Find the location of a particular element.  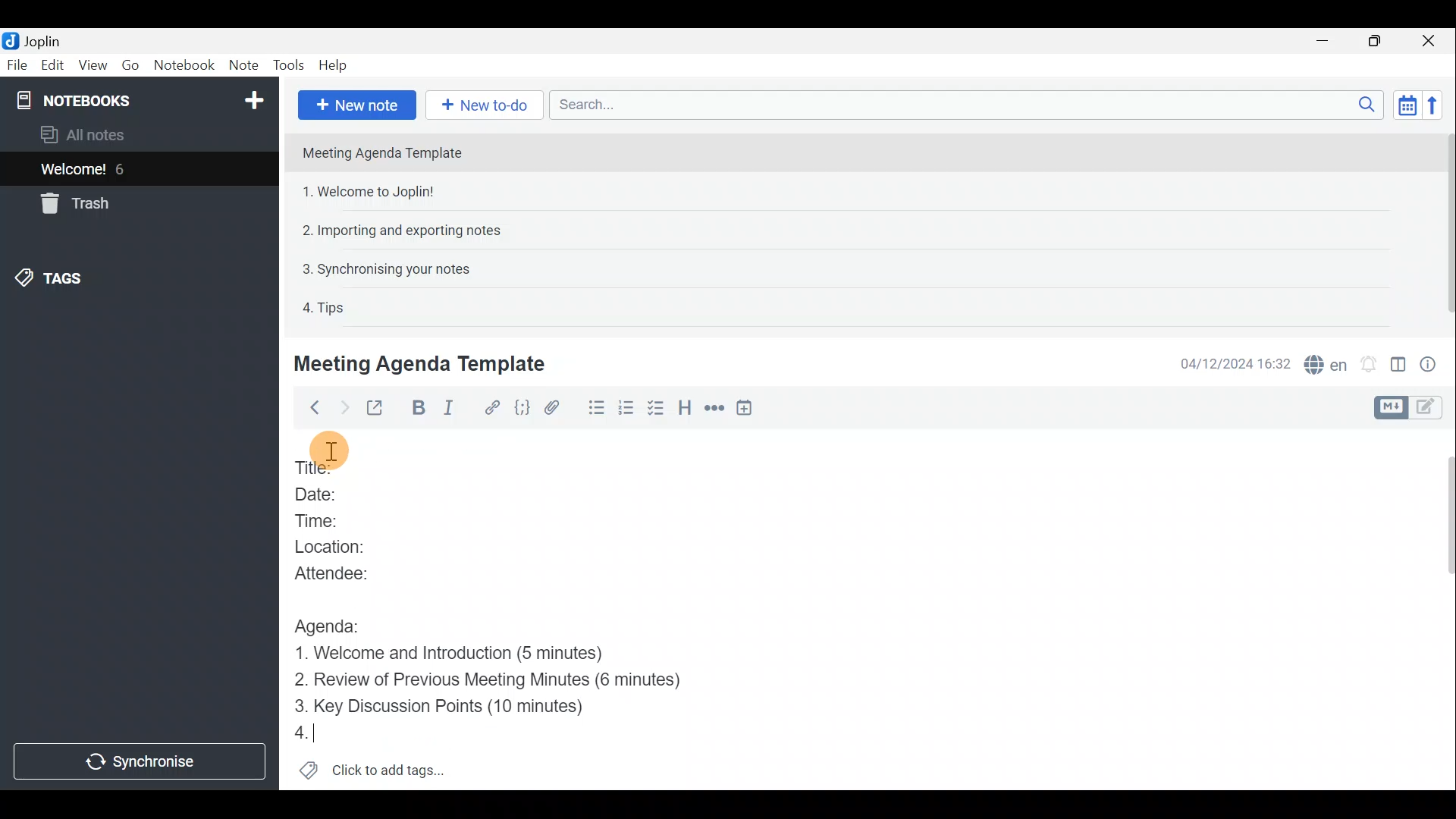

Agenda: is located at coordinates (337, 624).